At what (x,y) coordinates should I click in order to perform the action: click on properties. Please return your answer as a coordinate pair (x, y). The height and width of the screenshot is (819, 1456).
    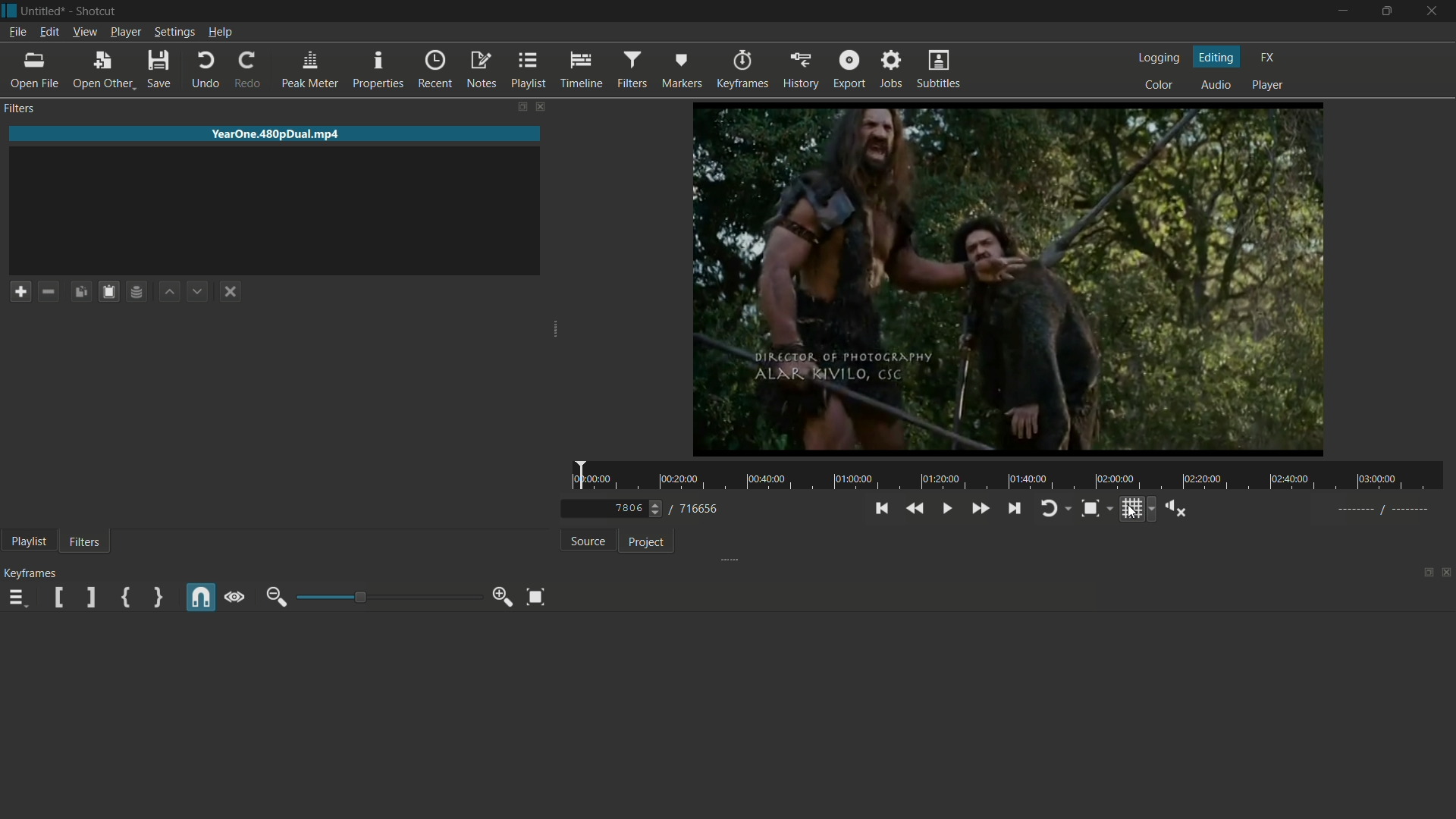
    Looking at the image, I should click on (378, 69).